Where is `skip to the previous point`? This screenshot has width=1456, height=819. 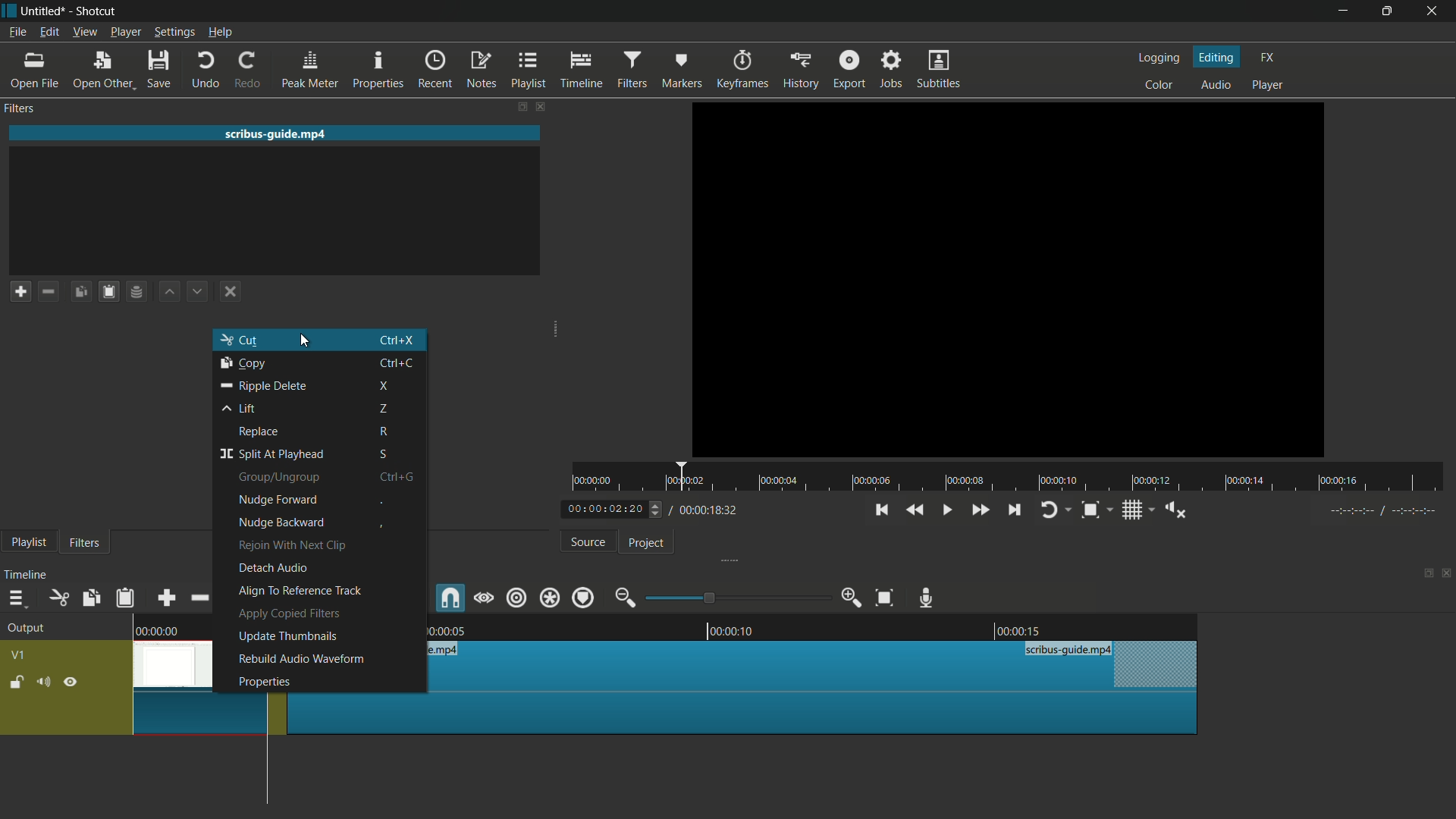 skip to the previous point is located at coordinates (881, 510).